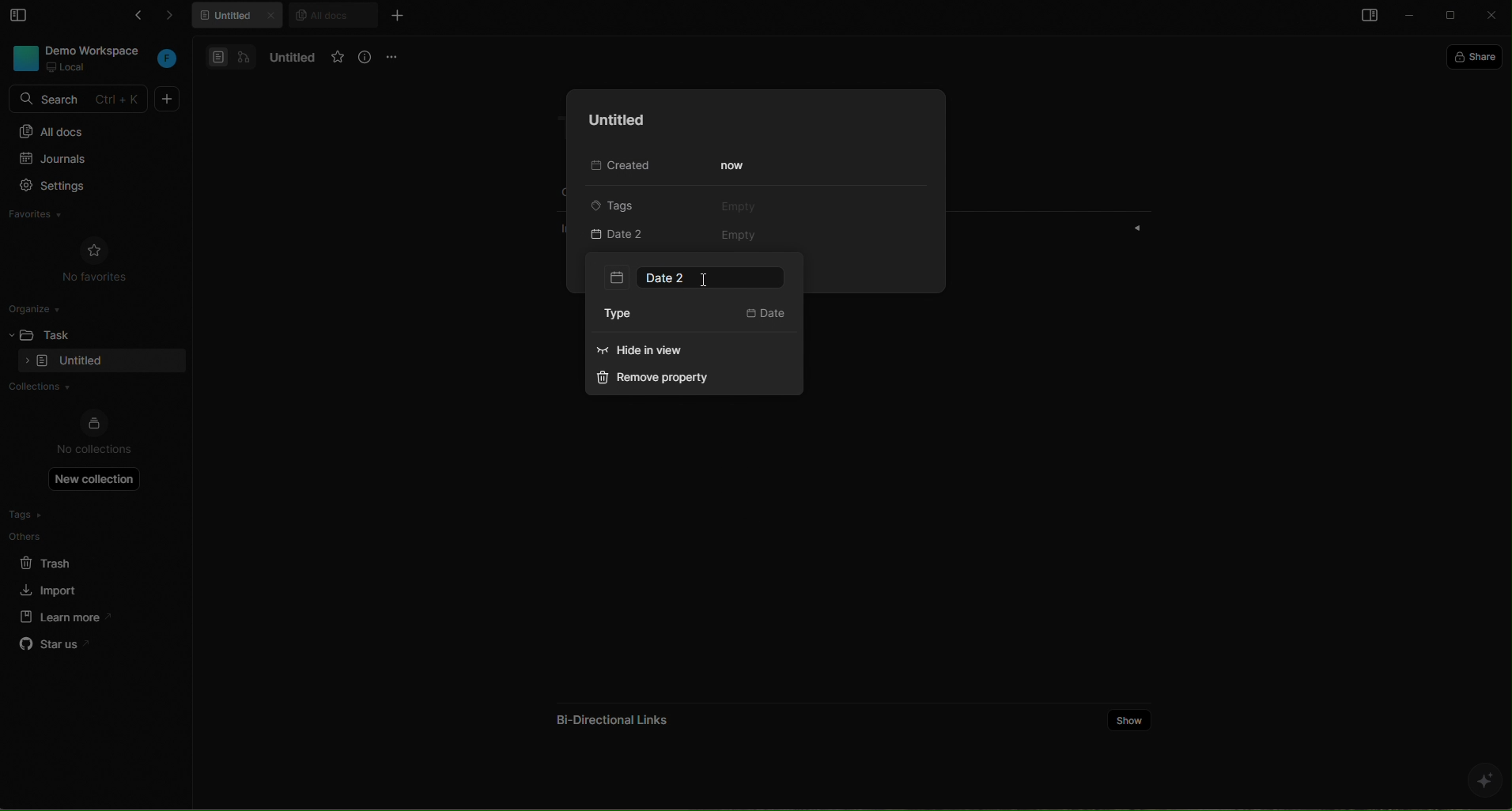 Image resolution: width=1512 pixels, height=811 pixels. Describe the element at coordinates (94, 434) in the screenshot. I see `no collections` at that location.